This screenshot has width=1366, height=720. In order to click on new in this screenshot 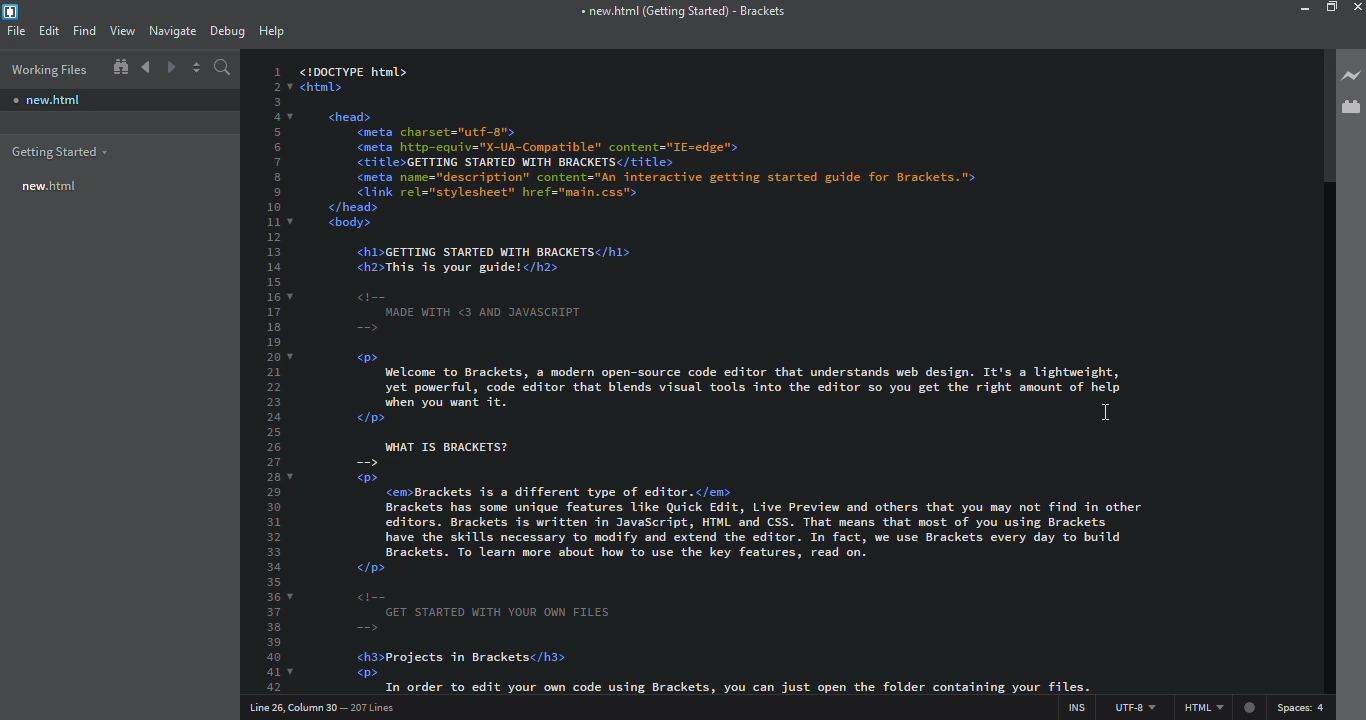, I will do `click(46, 100)`.